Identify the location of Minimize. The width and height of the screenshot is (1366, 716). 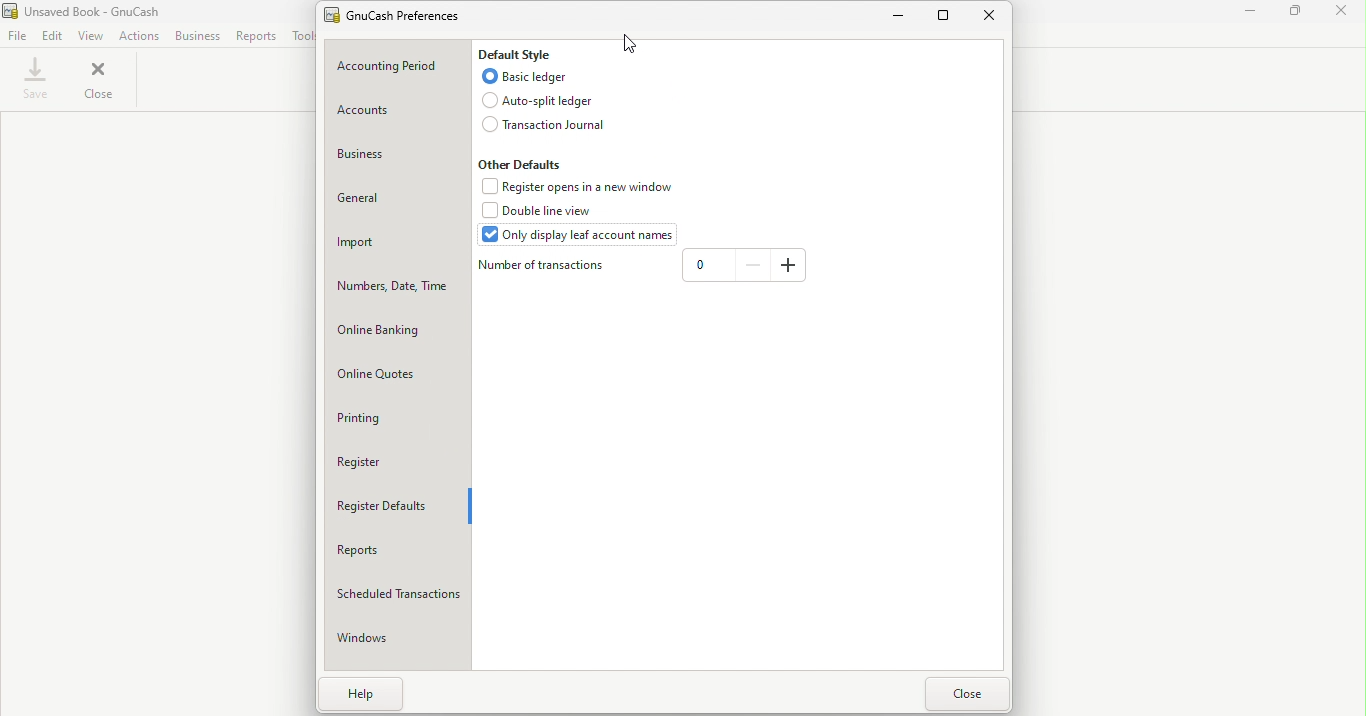
(894, 18).